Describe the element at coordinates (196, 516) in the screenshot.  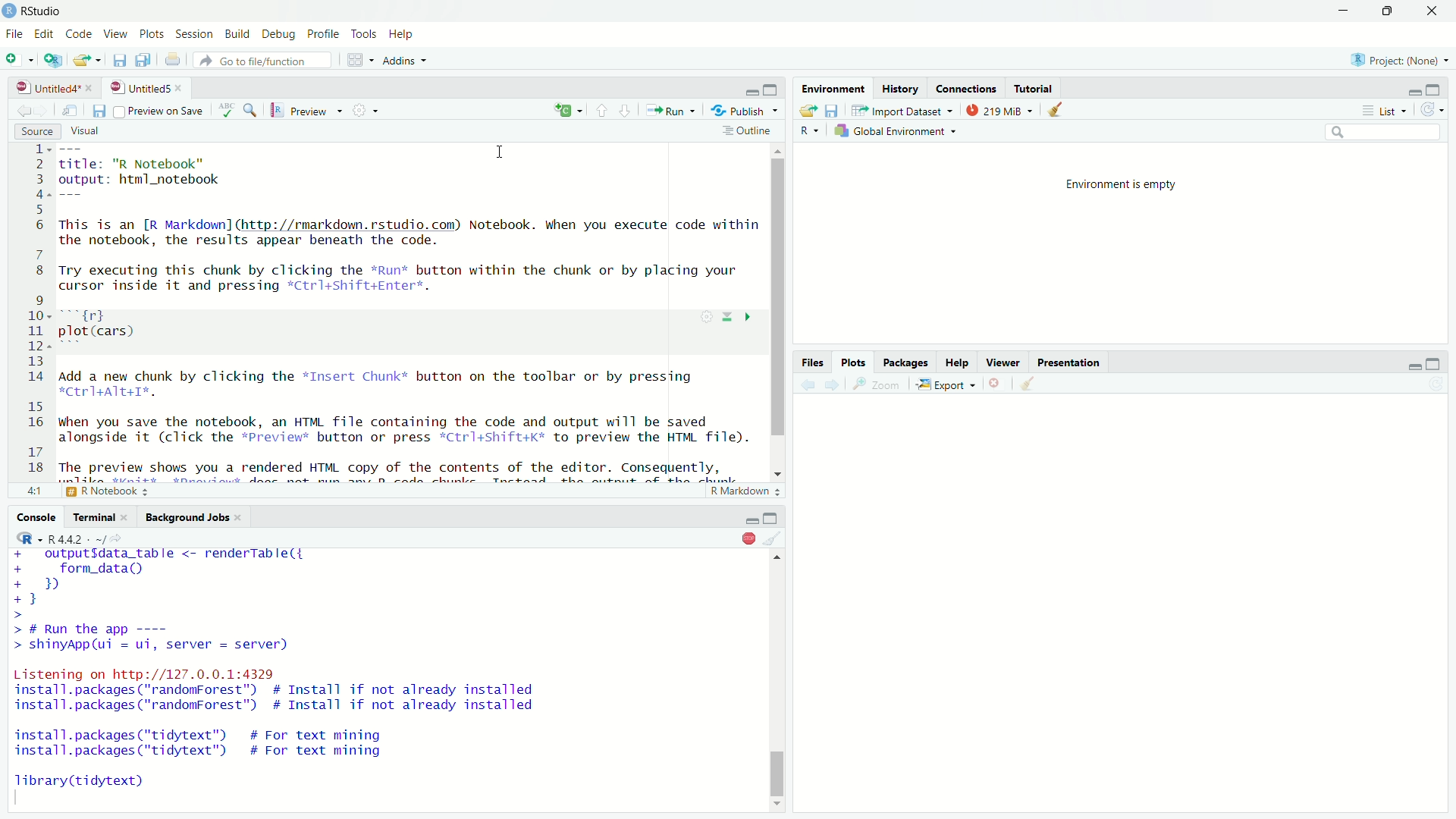
I see `background jobs` at that location.